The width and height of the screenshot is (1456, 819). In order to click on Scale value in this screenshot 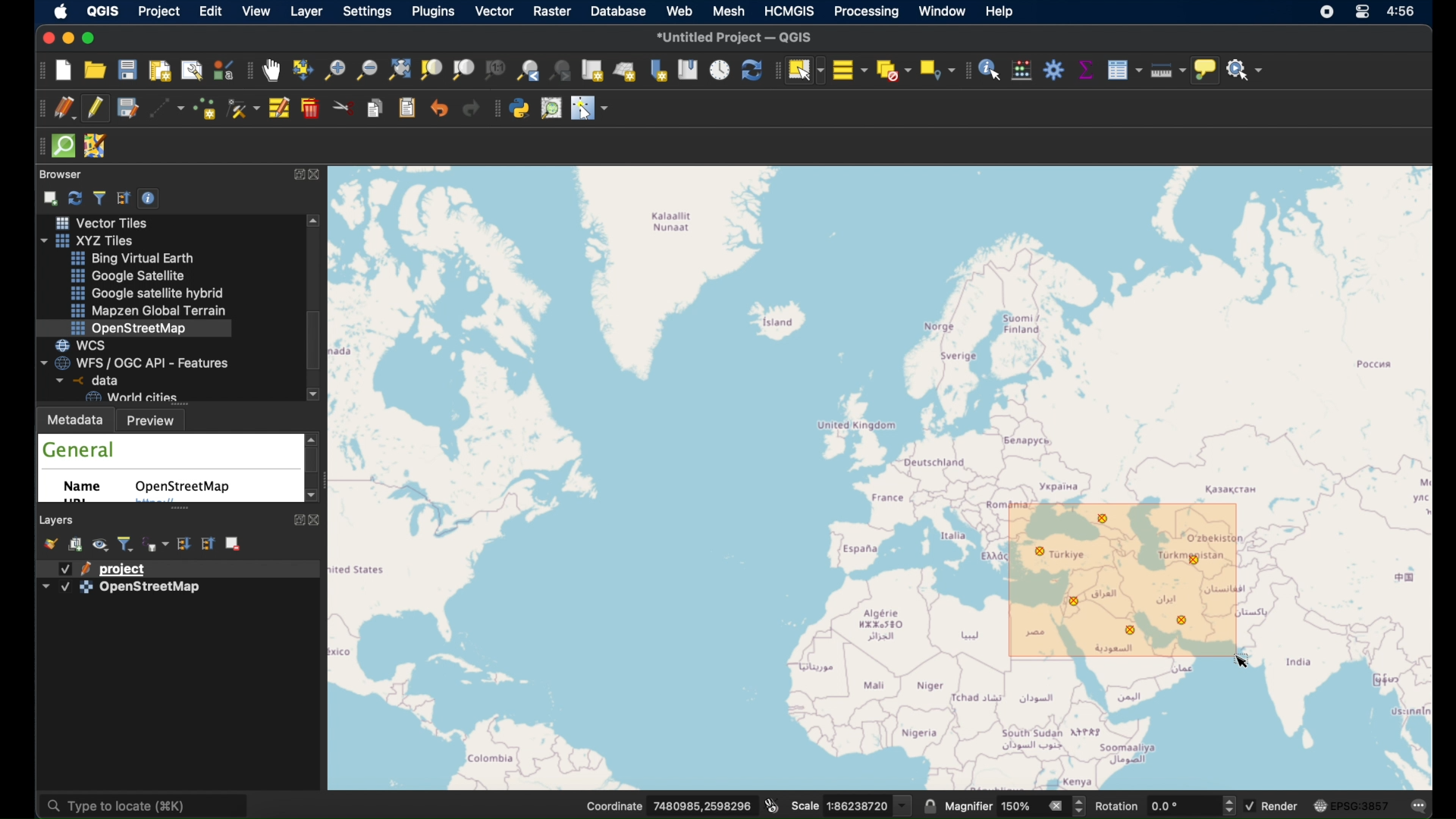, I will do `click(858, 806)`.